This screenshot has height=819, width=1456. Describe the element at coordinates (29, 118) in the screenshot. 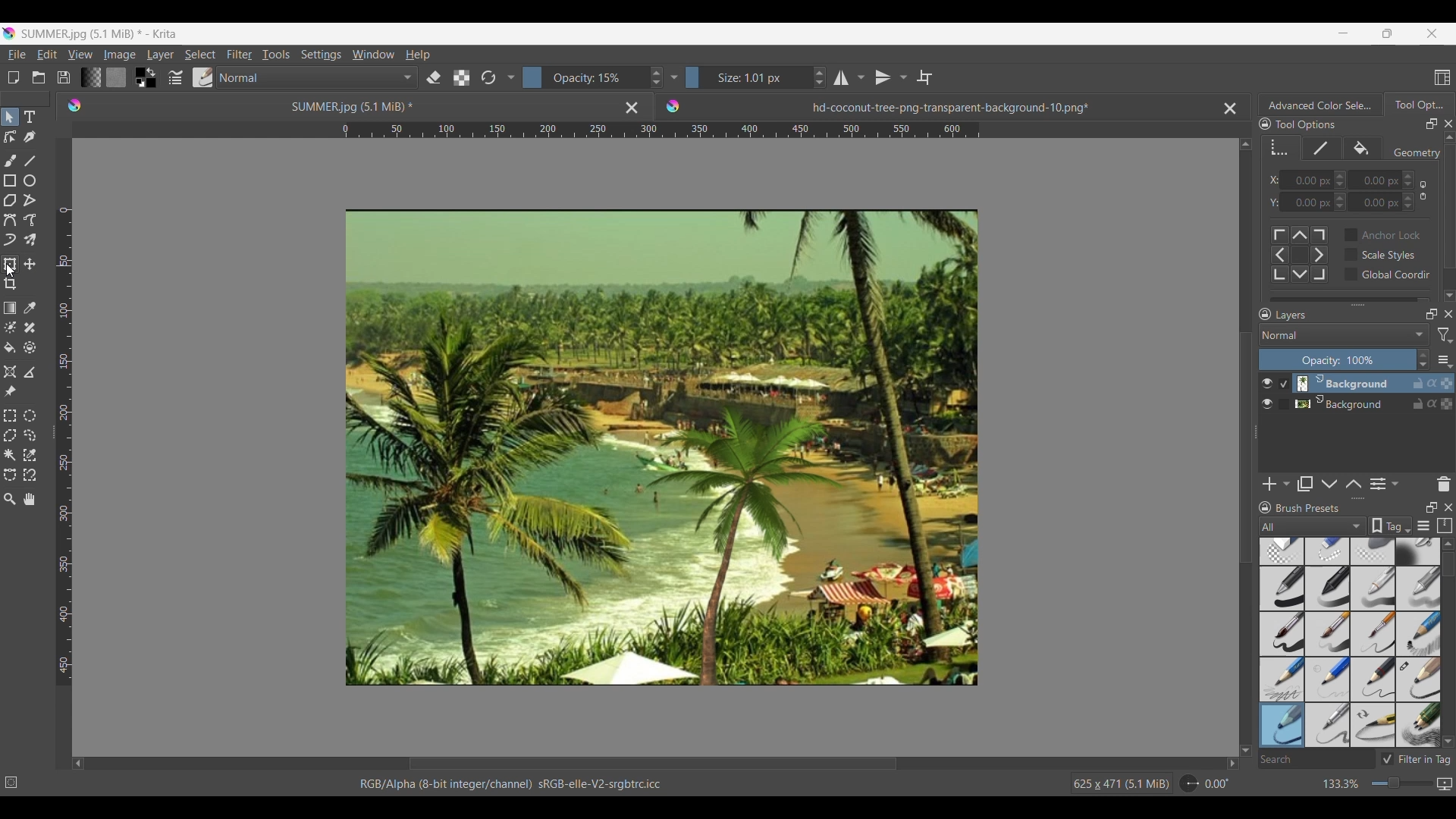

I see `Text tool` at that location.